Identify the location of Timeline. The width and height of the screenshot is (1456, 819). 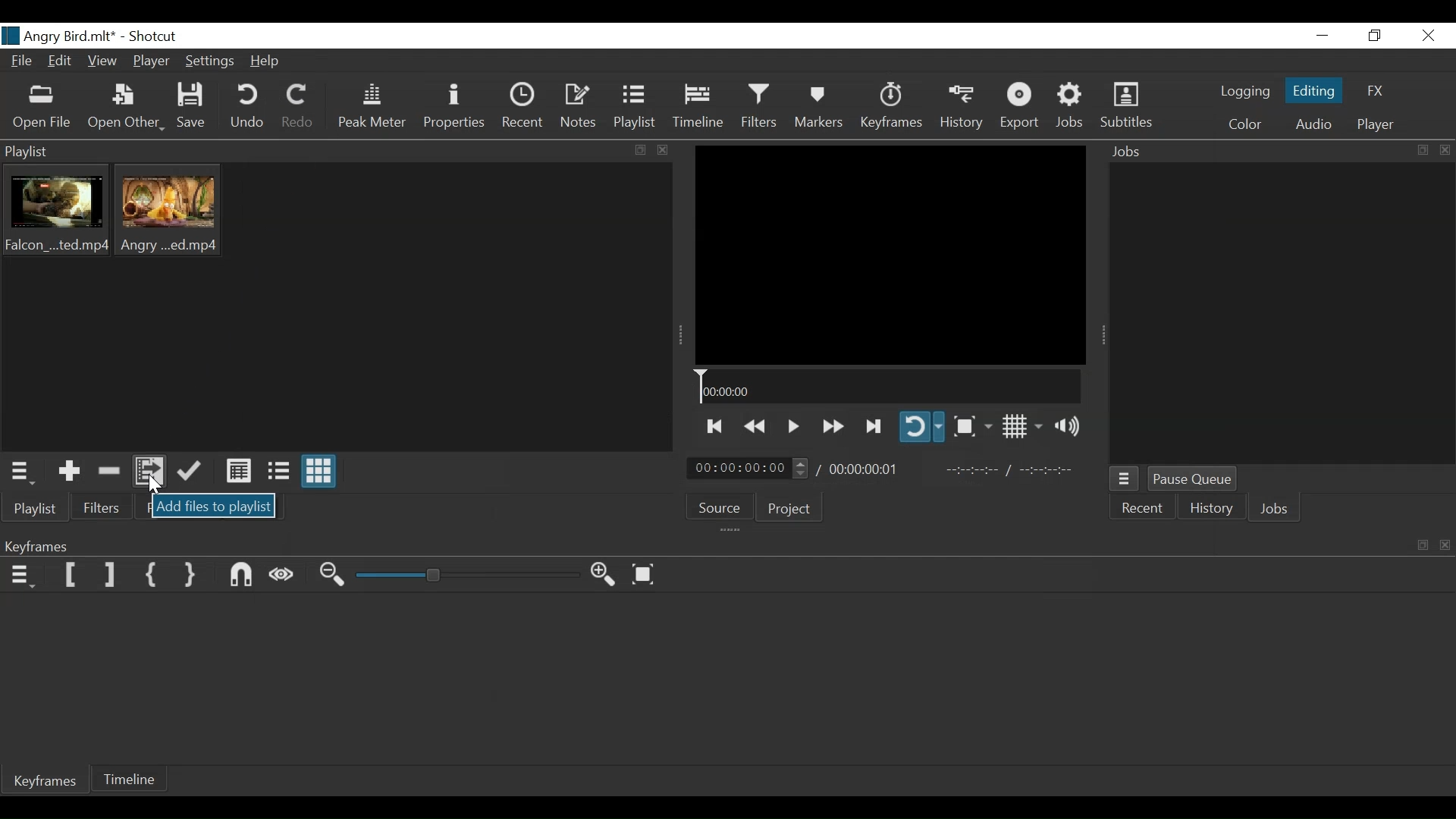
(890, 385).